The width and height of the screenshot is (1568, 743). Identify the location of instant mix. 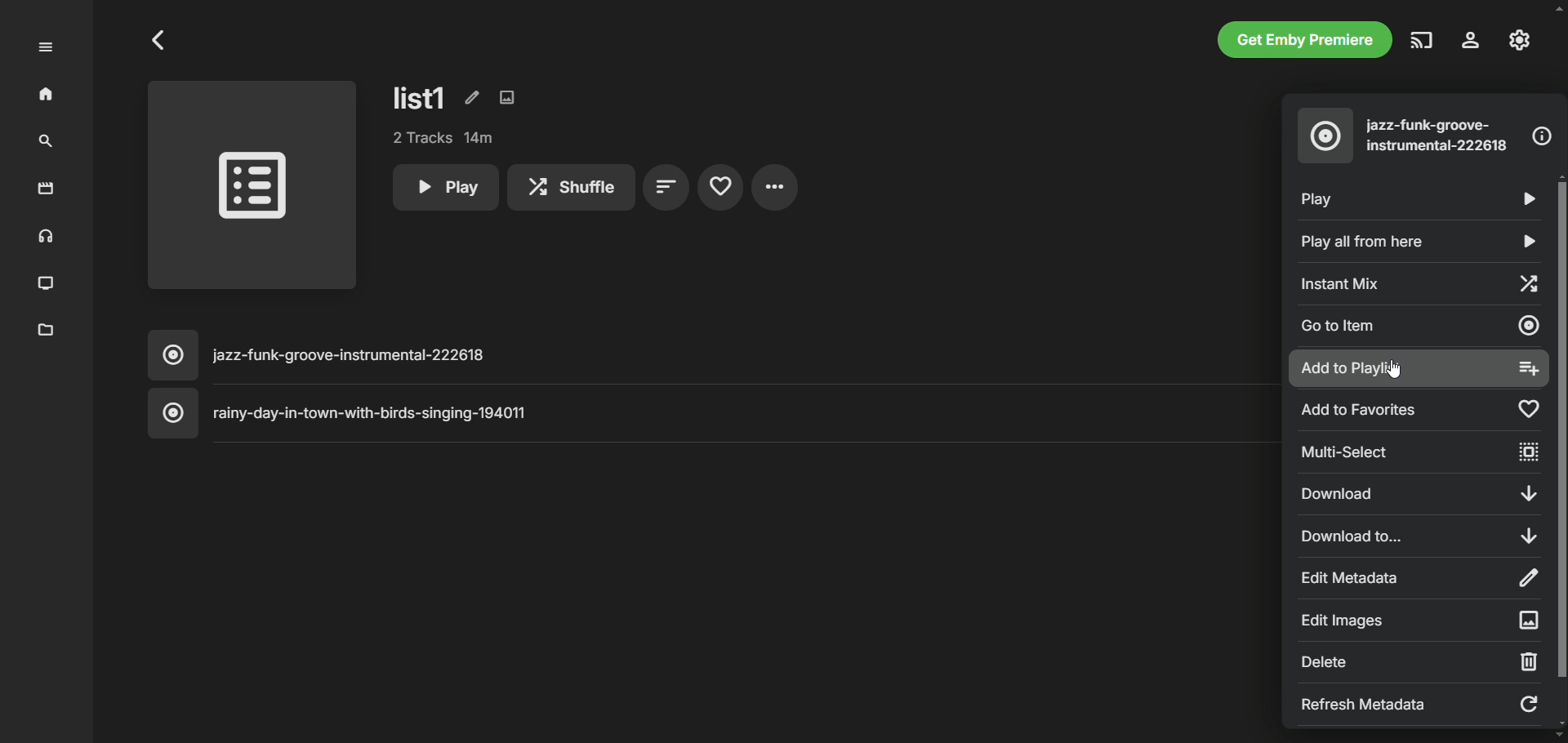
(1417, 282).